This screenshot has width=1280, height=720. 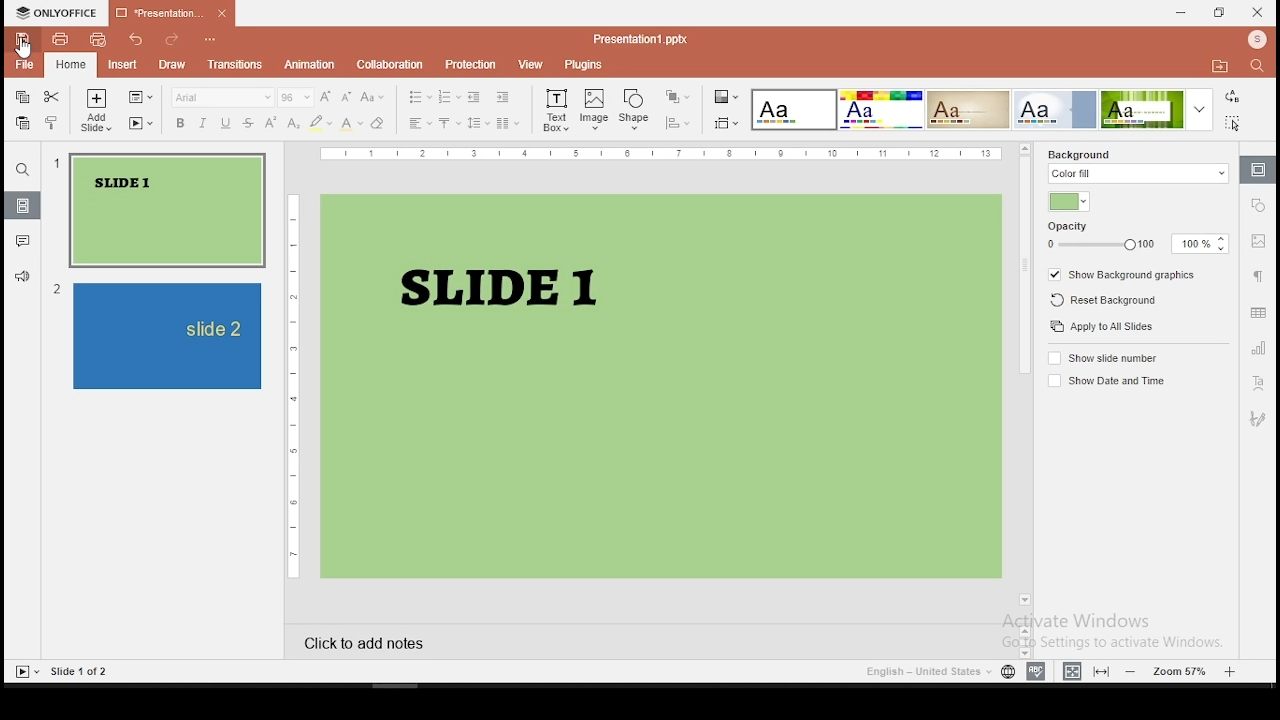 I want to click on show date and time, so click(x=1105, y=380).